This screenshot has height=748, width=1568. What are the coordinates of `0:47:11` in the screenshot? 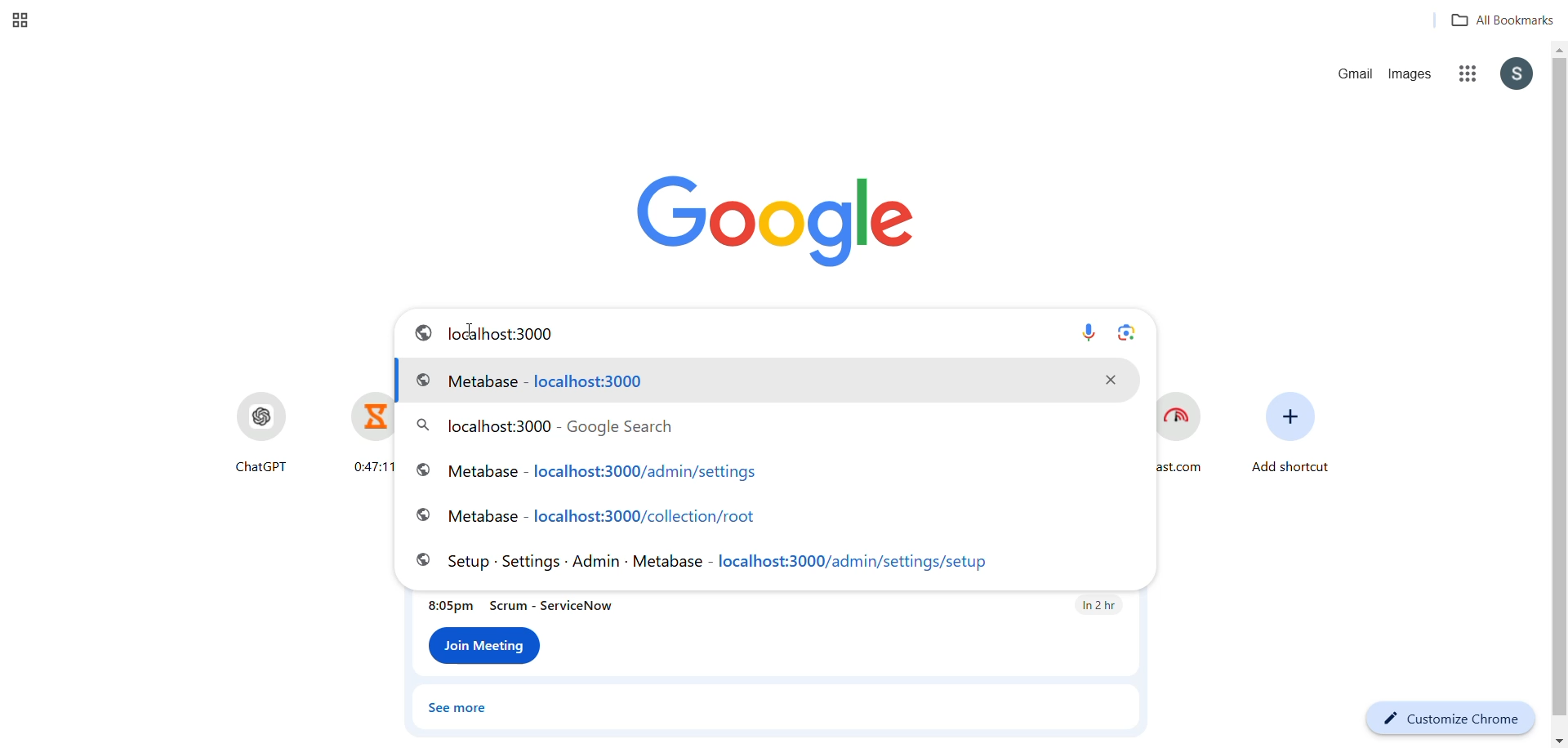 It's located at (360, 433).